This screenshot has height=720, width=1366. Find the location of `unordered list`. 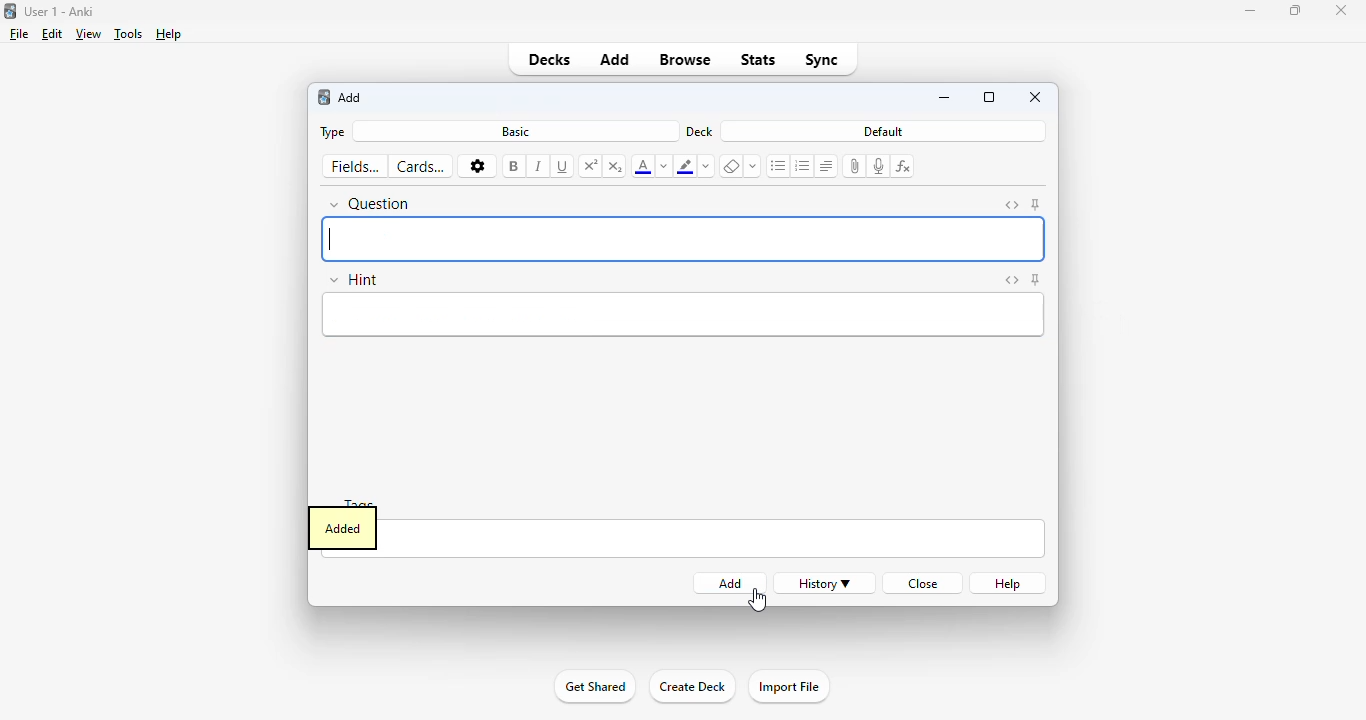

unordered list is located at coordinates (778, 167).